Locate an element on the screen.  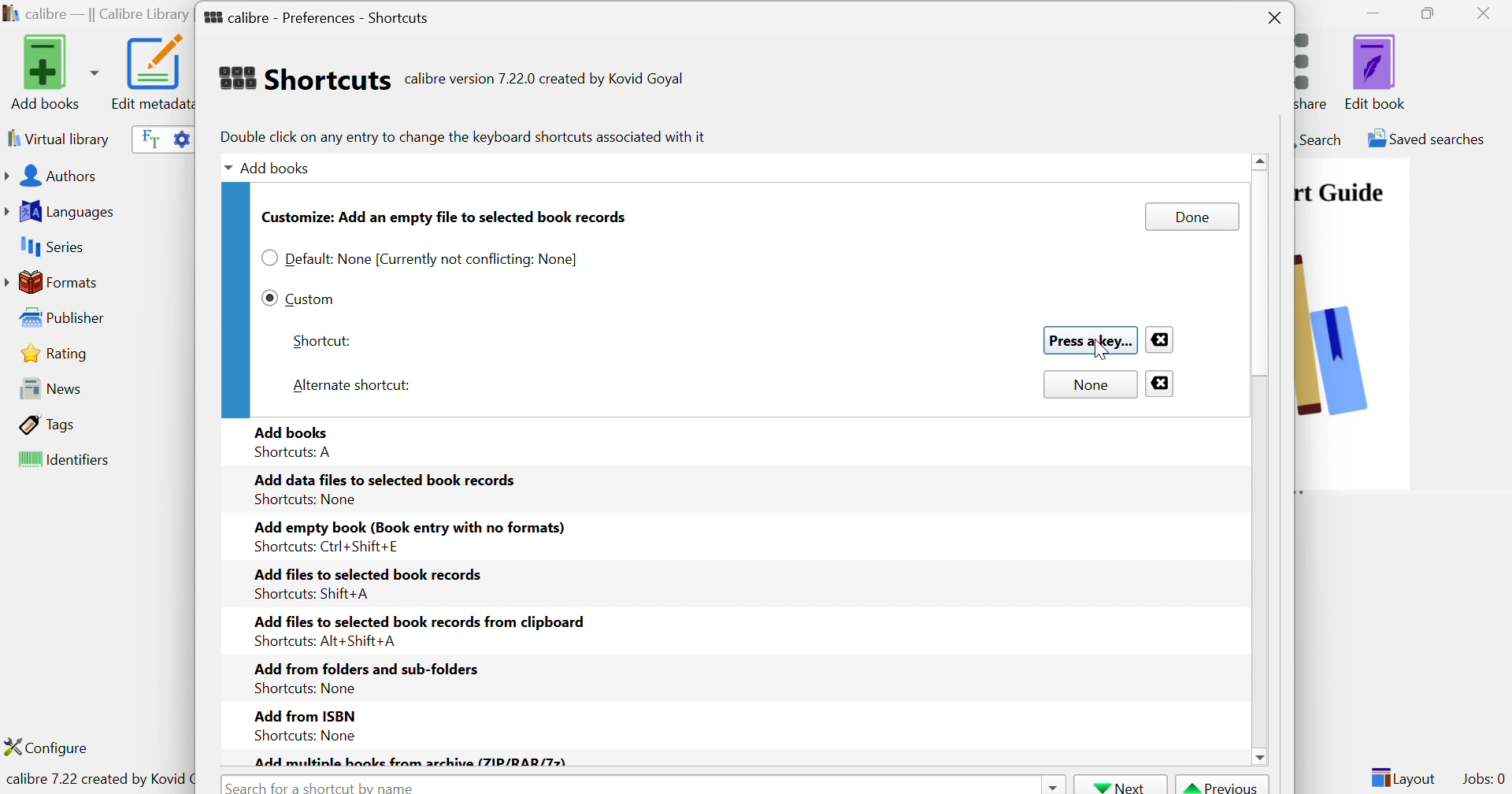
Languages is located at coordinates (62, 212).